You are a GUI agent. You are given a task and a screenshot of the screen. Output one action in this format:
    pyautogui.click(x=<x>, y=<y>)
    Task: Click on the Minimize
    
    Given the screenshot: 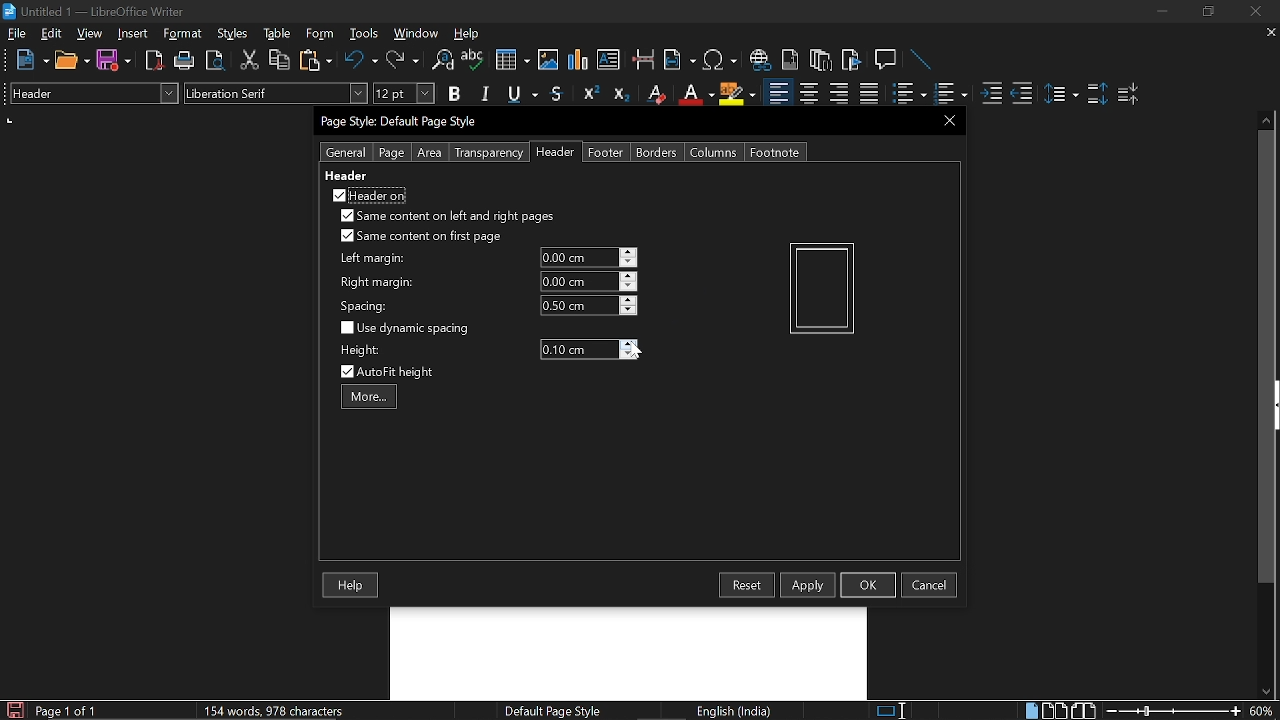 What is the action you would take?
    pyautogui.click(x=1162, y=14)
    